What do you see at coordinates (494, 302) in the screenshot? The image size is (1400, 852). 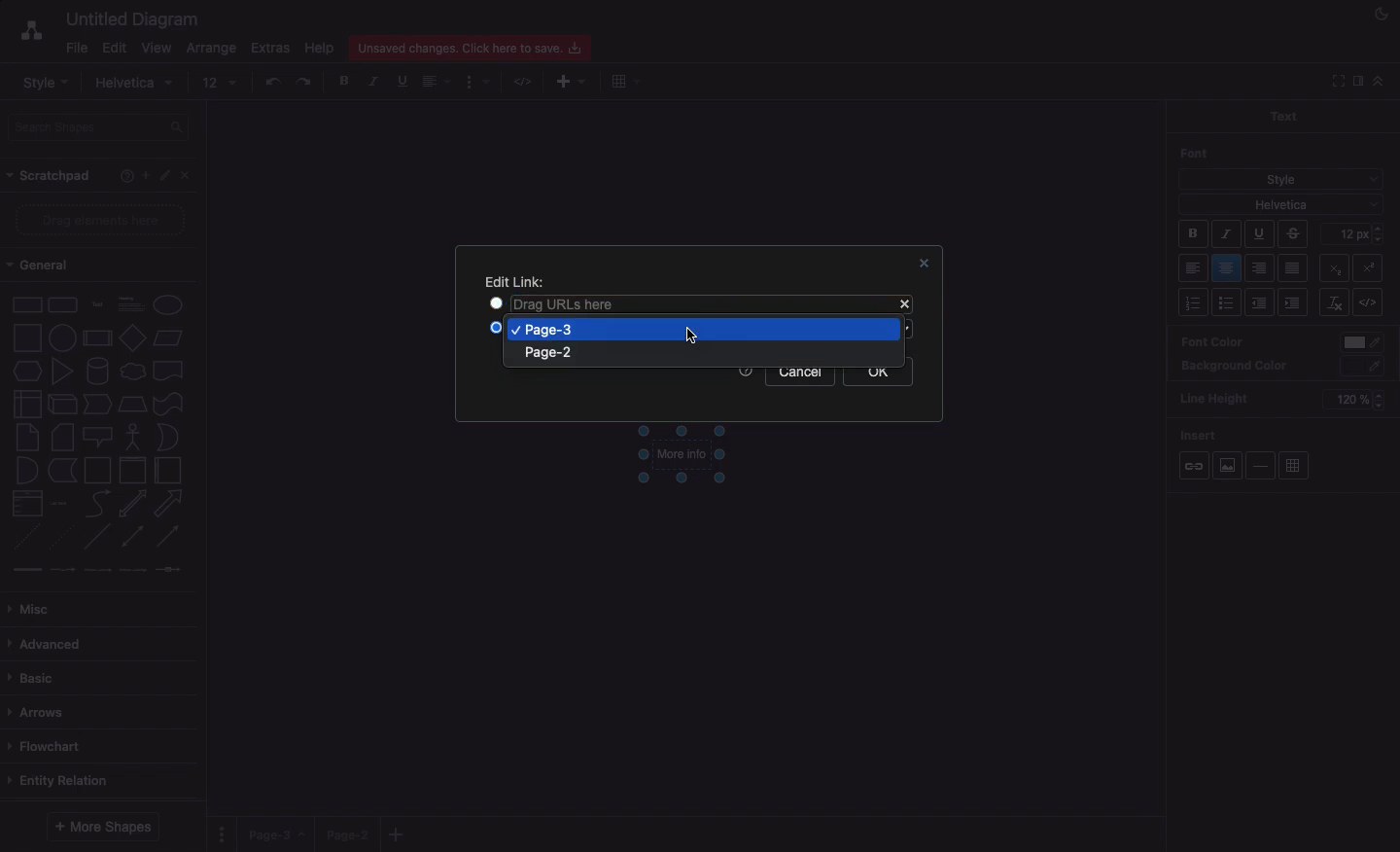 I see `checkbox` at bounding box center [494, 302].